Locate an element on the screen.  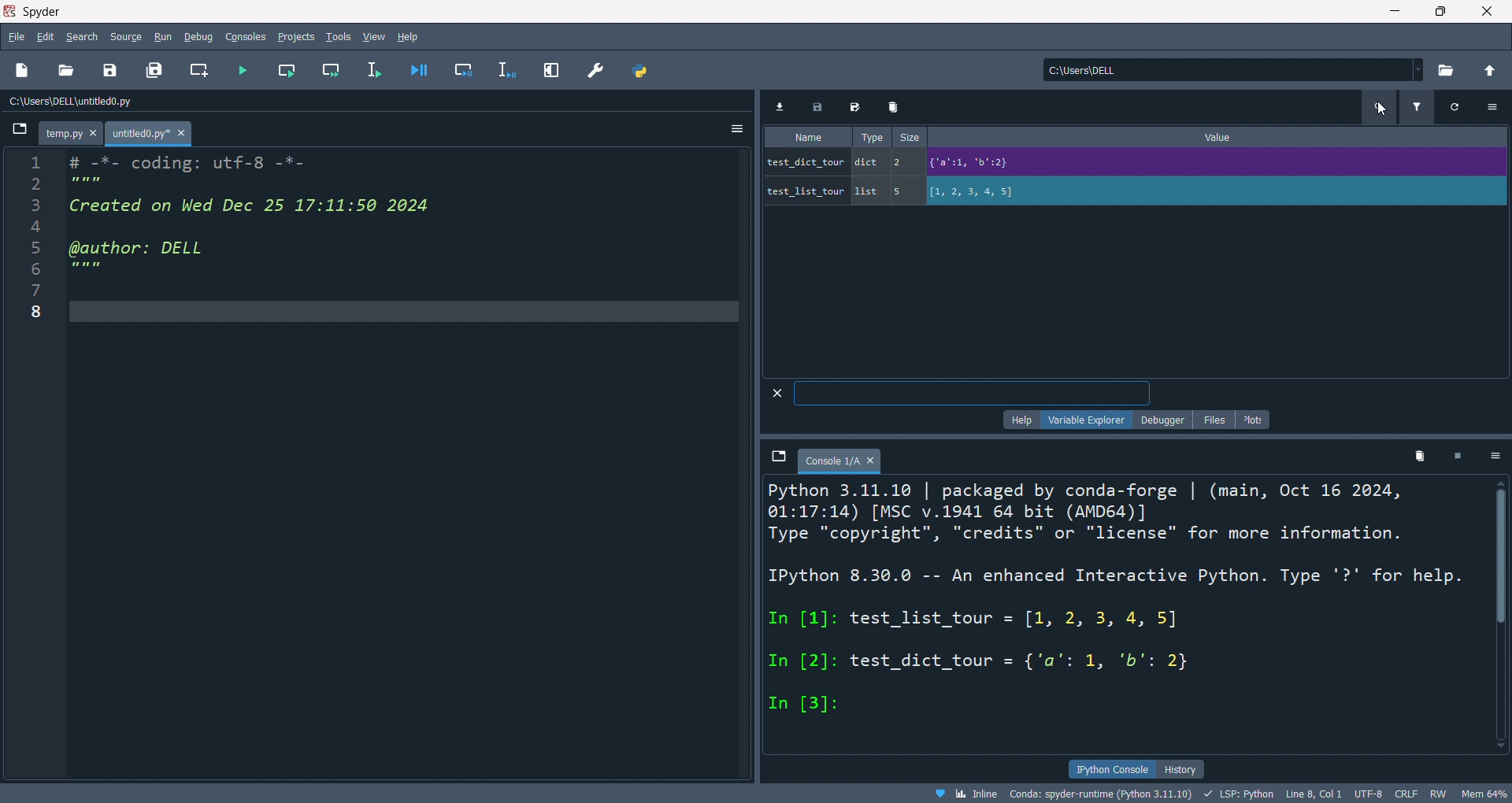
options is located at coordinates (731, 128).